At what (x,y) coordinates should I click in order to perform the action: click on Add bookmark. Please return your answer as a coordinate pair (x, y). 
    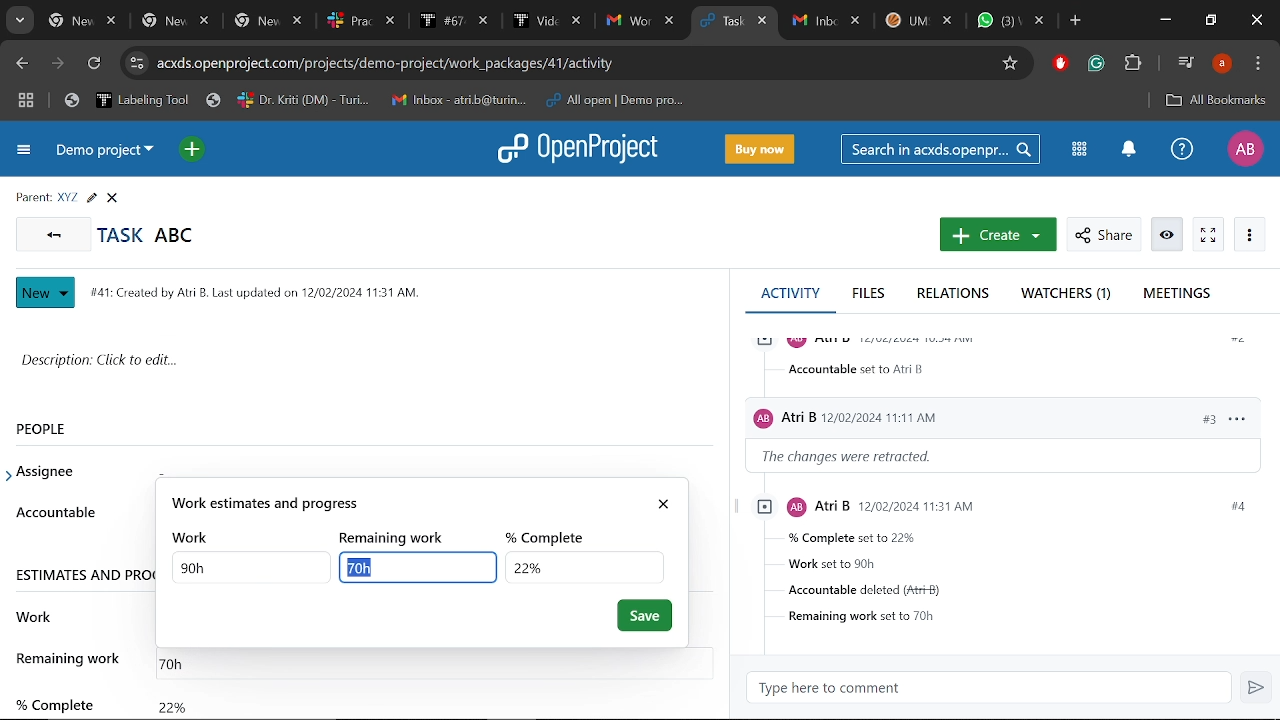
    Looking at the image, I should click on (1215, 100).